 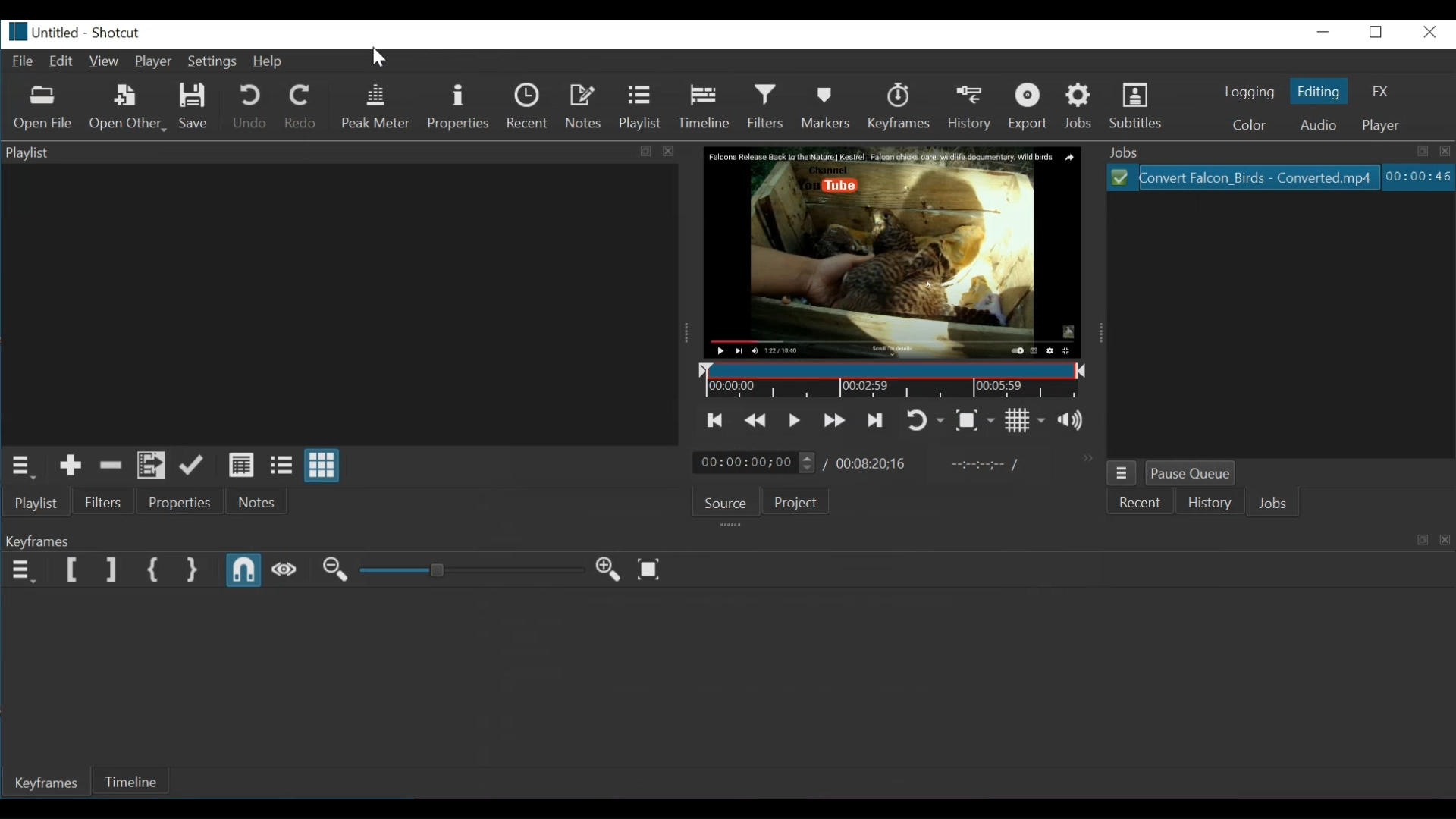 What do you see at coordinates (893, 381) in the screenshot?
I see `Timeline` at bounding box center [893, 381].